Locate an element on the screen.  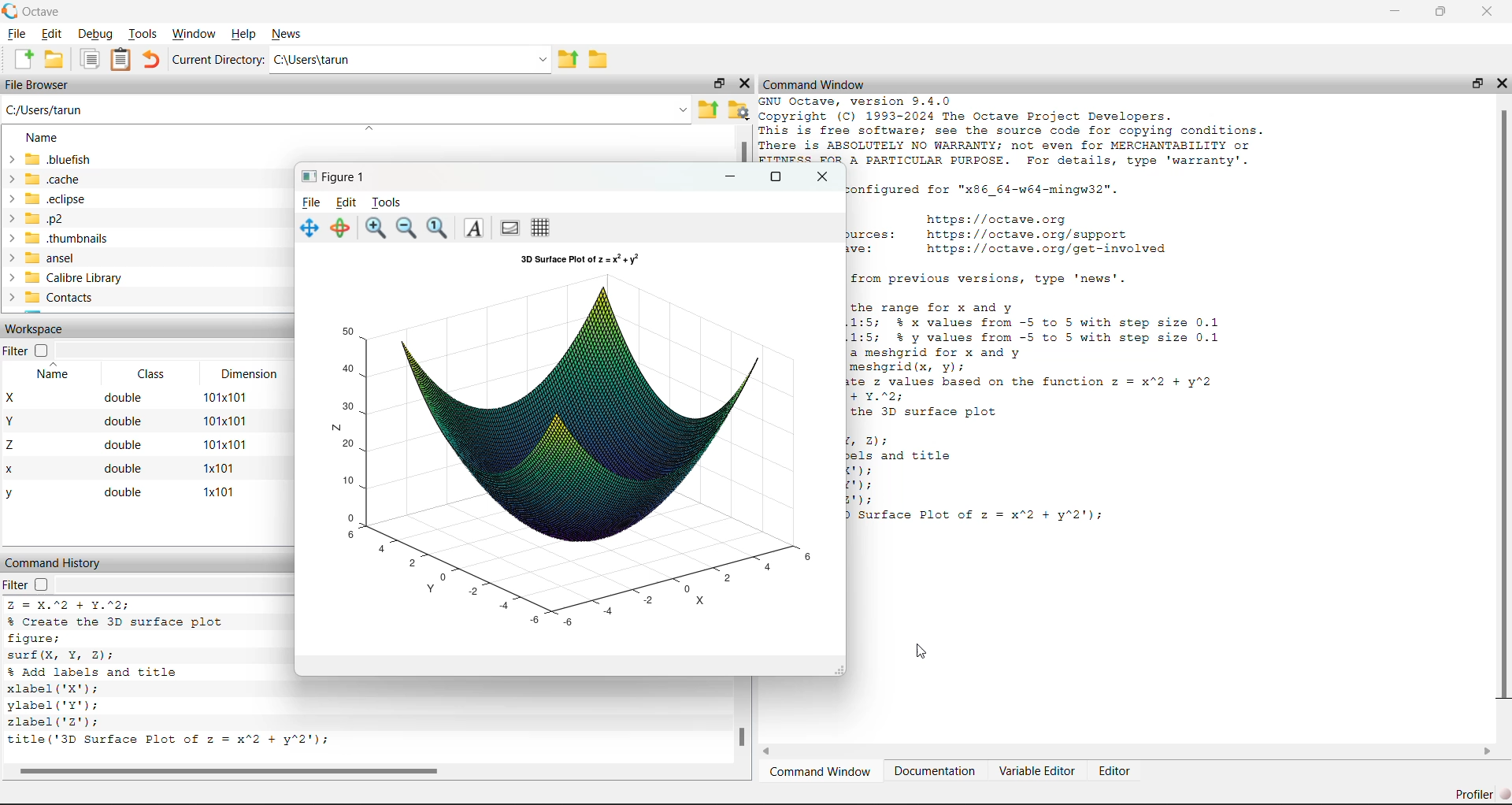
Edit is located at coordinates (49, 35).